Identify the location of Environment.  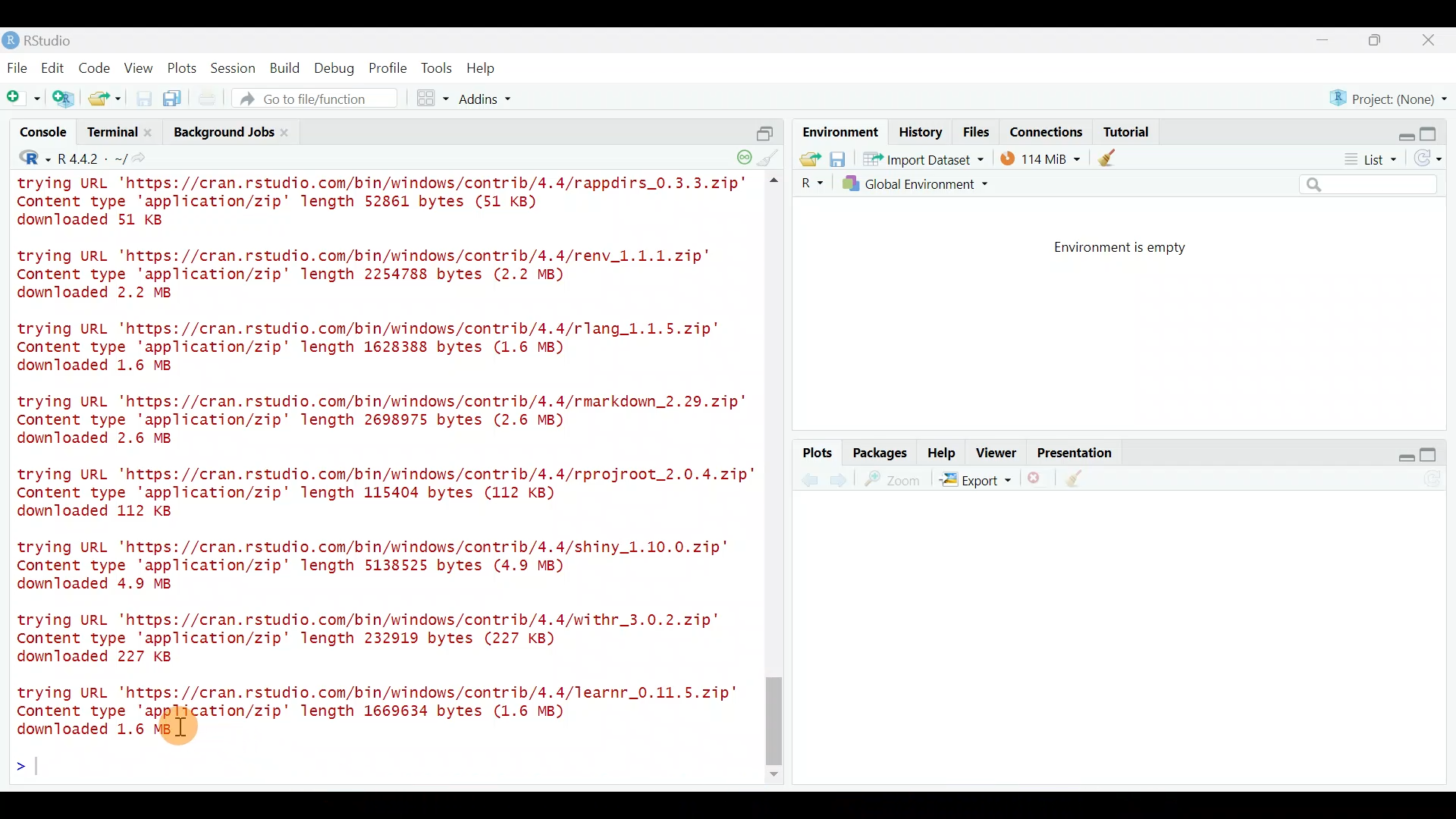
(838, 131).